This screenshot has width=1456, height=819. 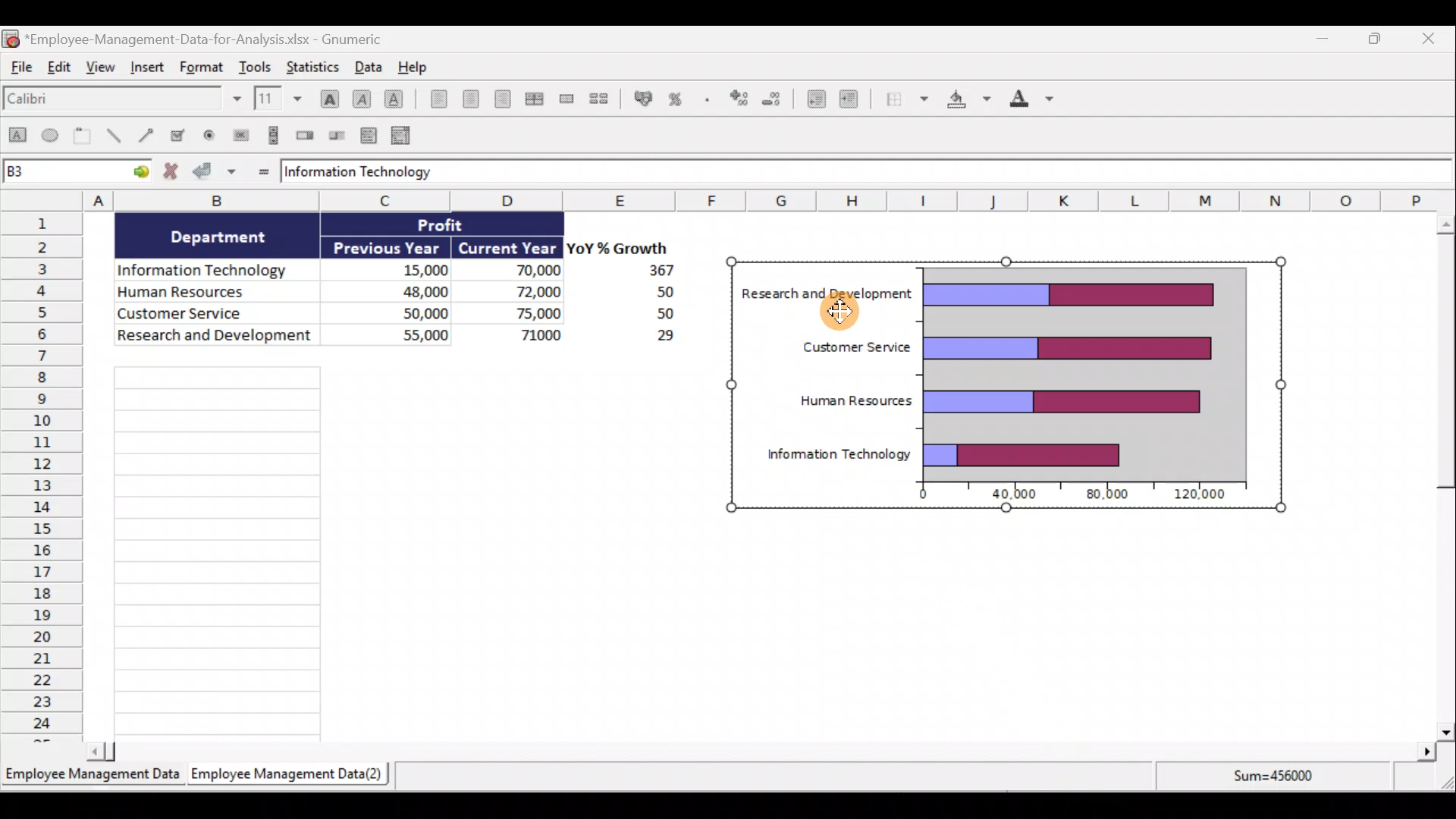 I want to click on Create an ellipse object, so click(x=52, y=137).